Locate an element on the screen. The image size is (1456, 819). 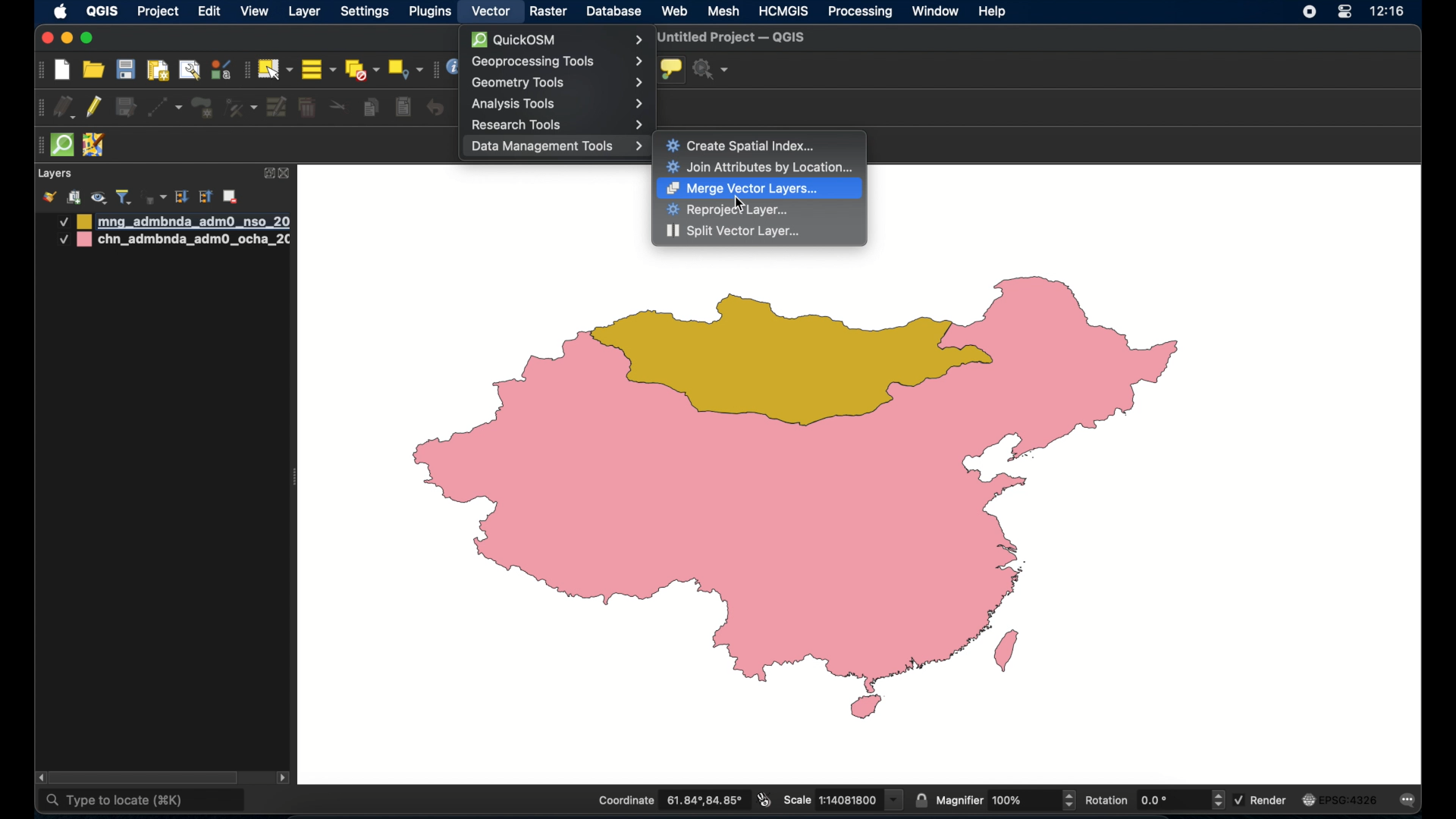
remove layer/group is located at coordinates (233, 196).